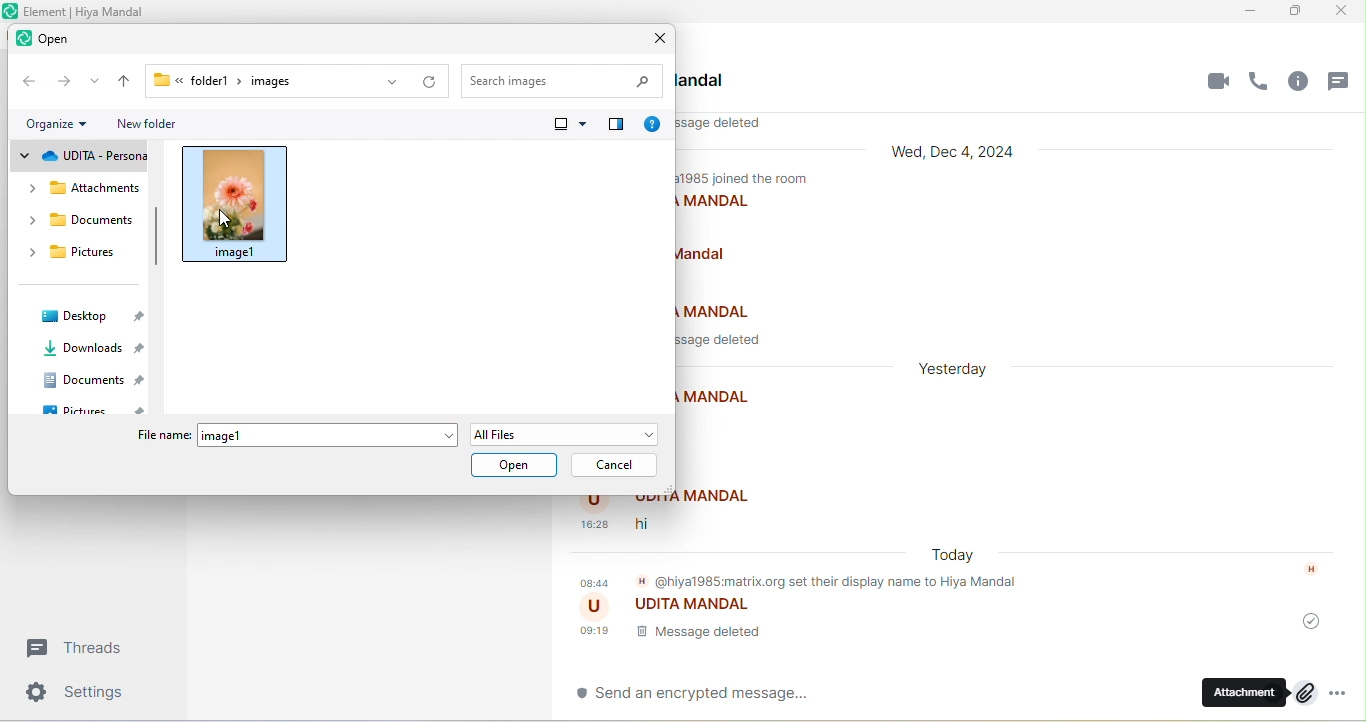  Describe the element at coordinates (1217, 80) in the screenshot. I see `video call` at that location.